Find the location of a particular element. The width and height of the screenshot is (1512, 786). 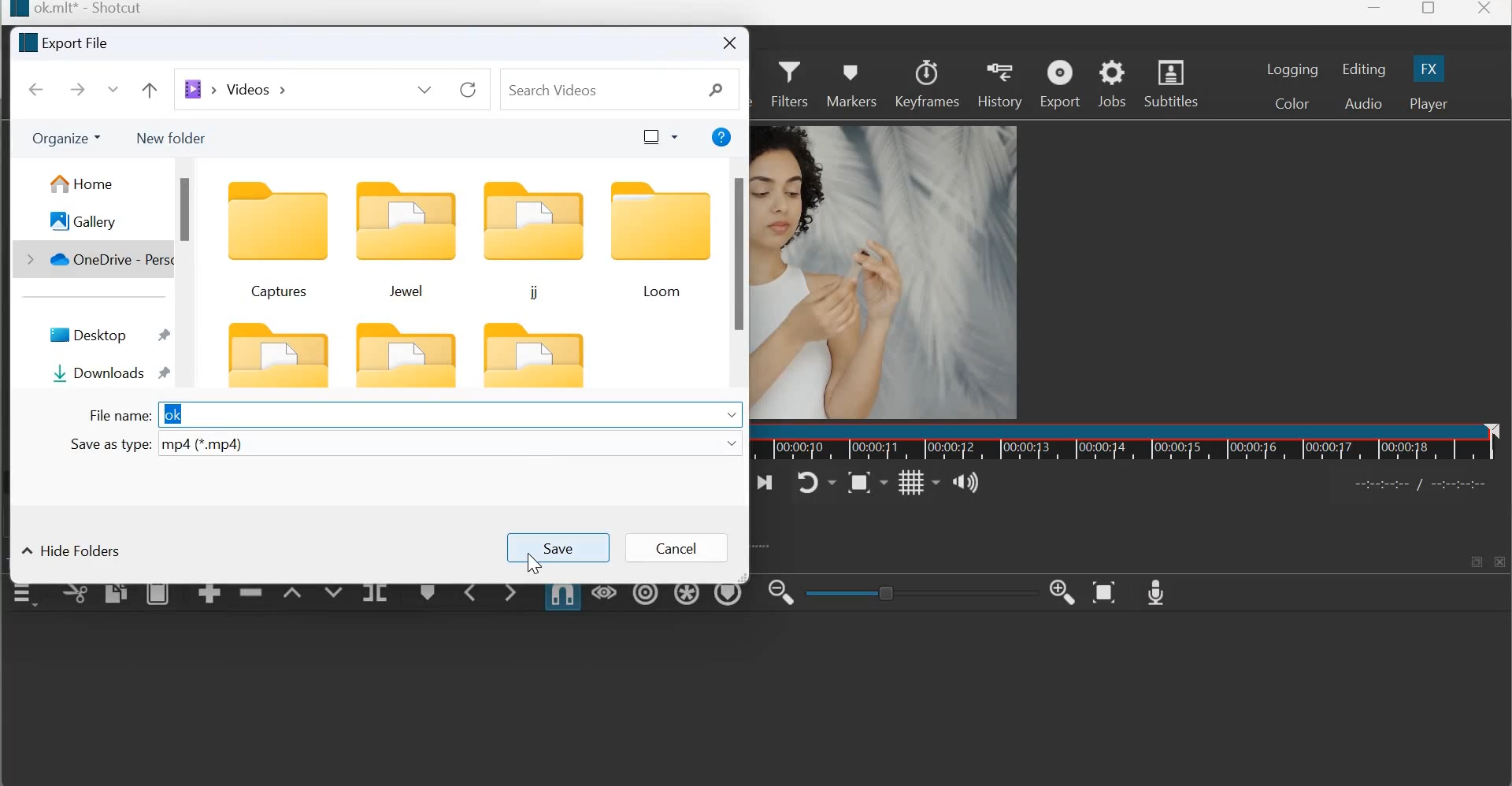

Zoom Timeline to Fit is located at coordinates (1106, 592).